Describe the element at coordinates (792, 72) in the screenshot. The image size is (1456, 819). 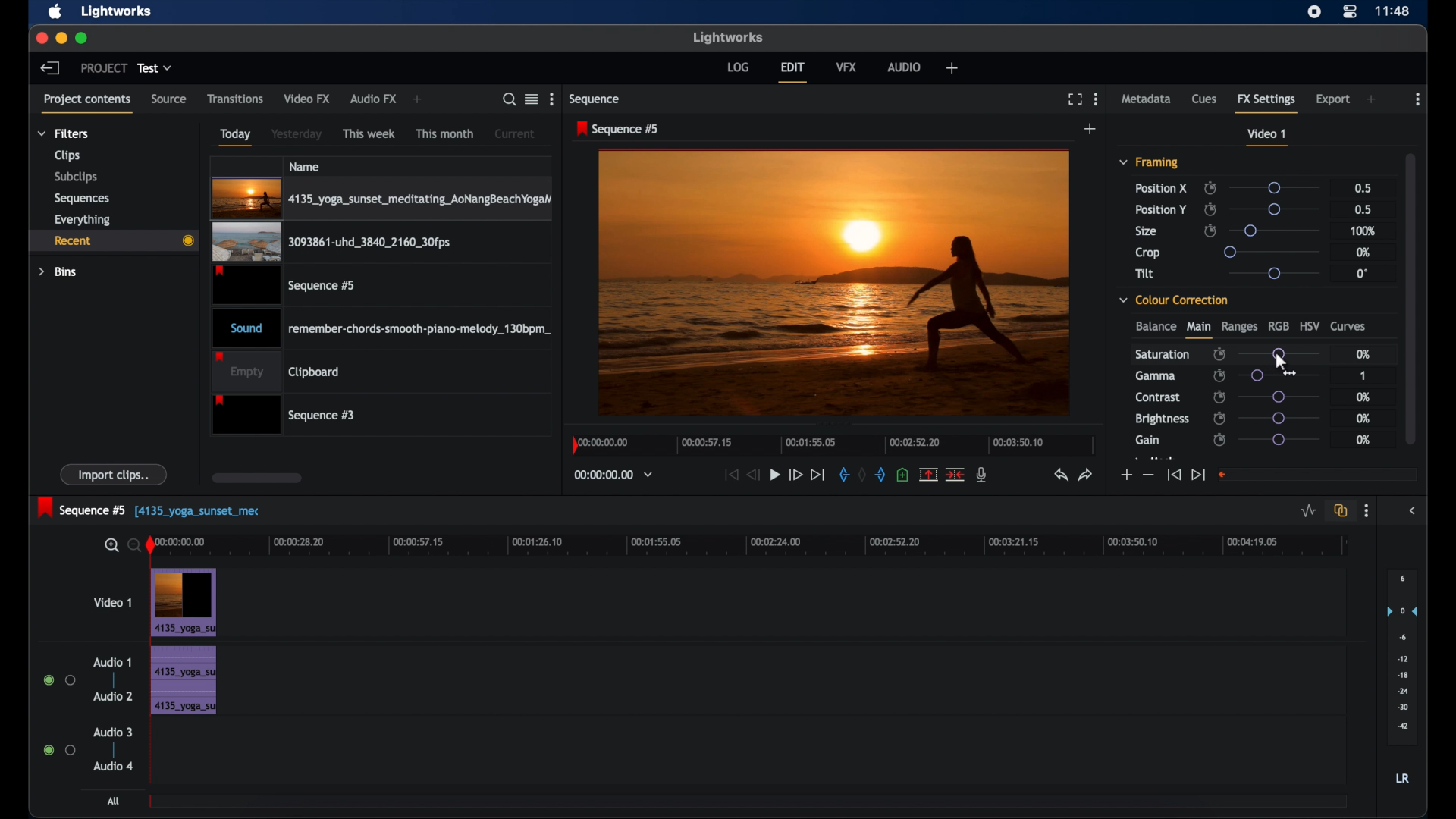
I see `edit` at that location.